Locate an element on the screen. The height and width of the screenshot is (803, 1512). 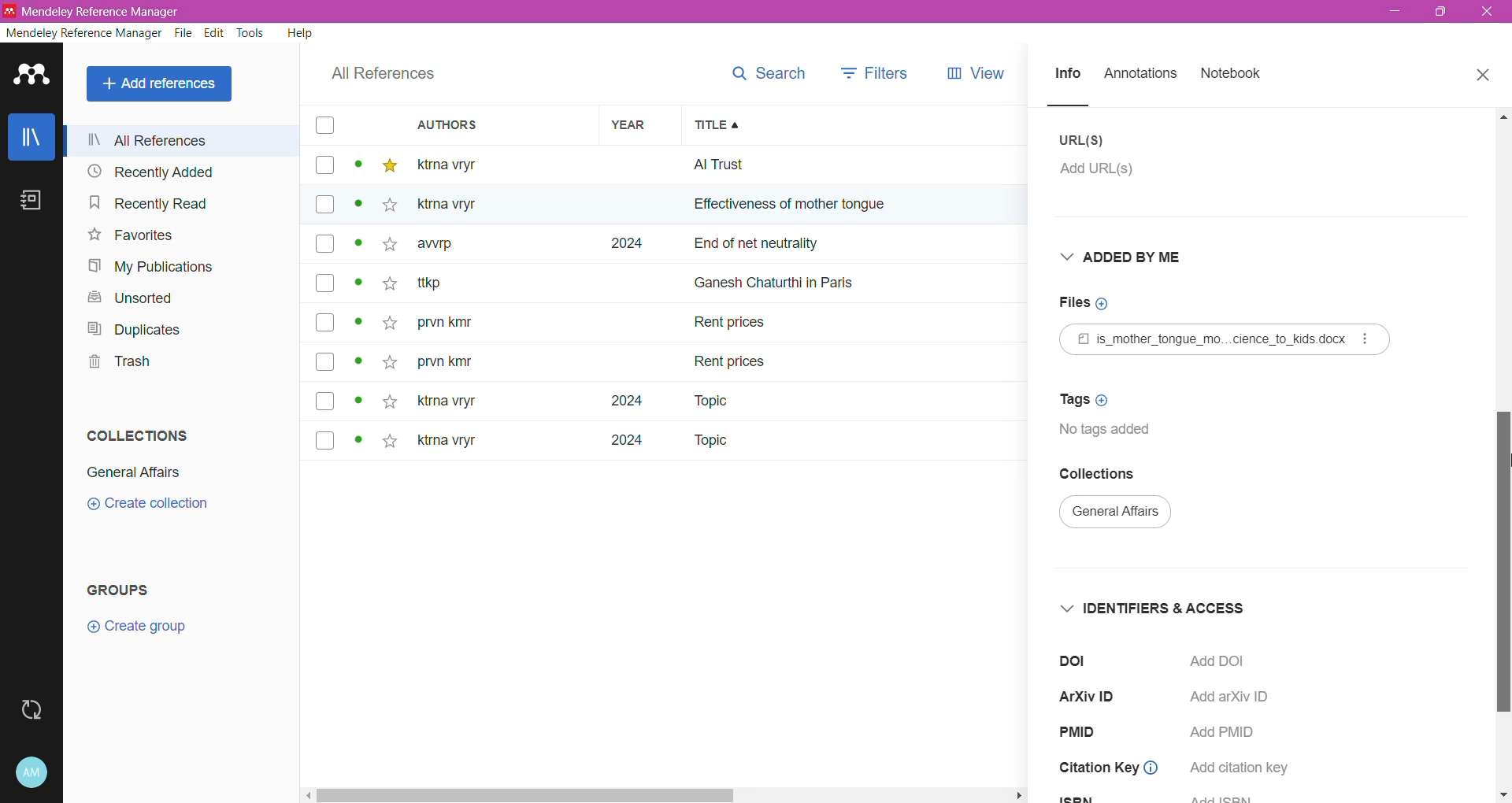
General Affairs is located at coordinates (134, 472).